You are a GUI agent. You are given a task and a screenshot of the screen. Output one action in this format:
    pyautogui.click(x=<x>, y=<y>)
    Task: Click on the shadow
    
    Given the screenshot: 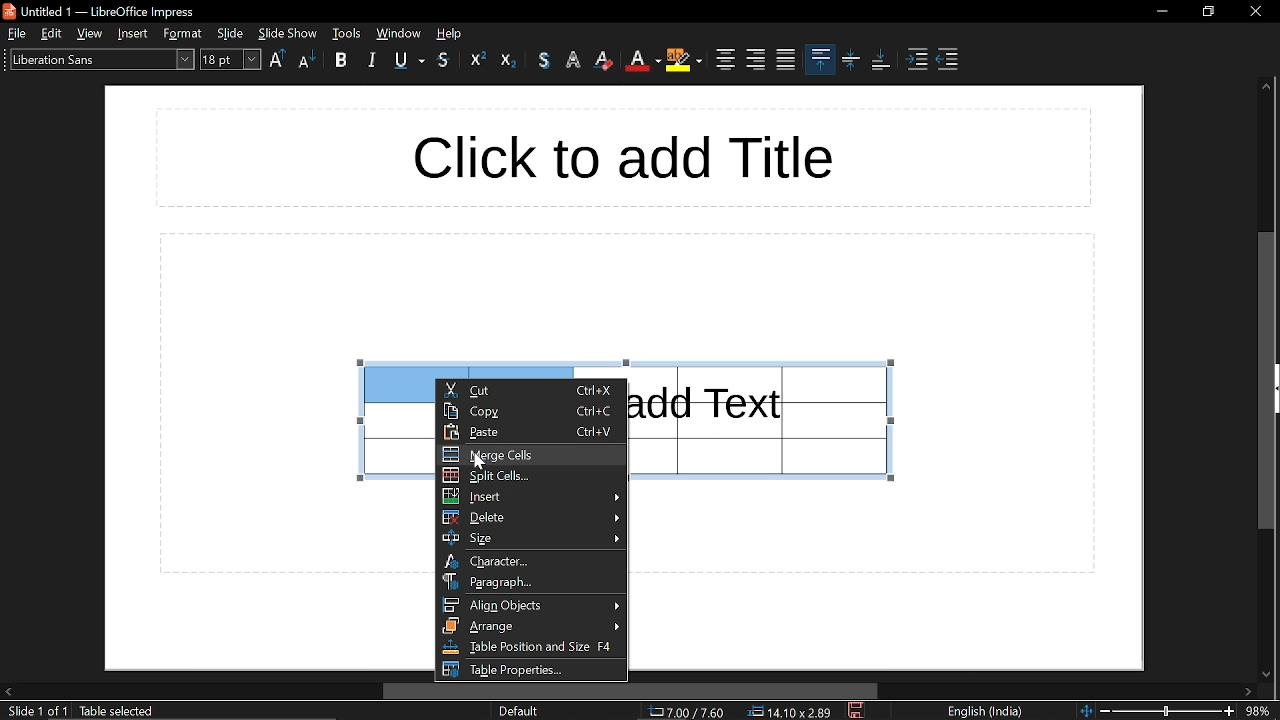 What is the action you would take?
    pyautogui.click(x=544, y=60)
    